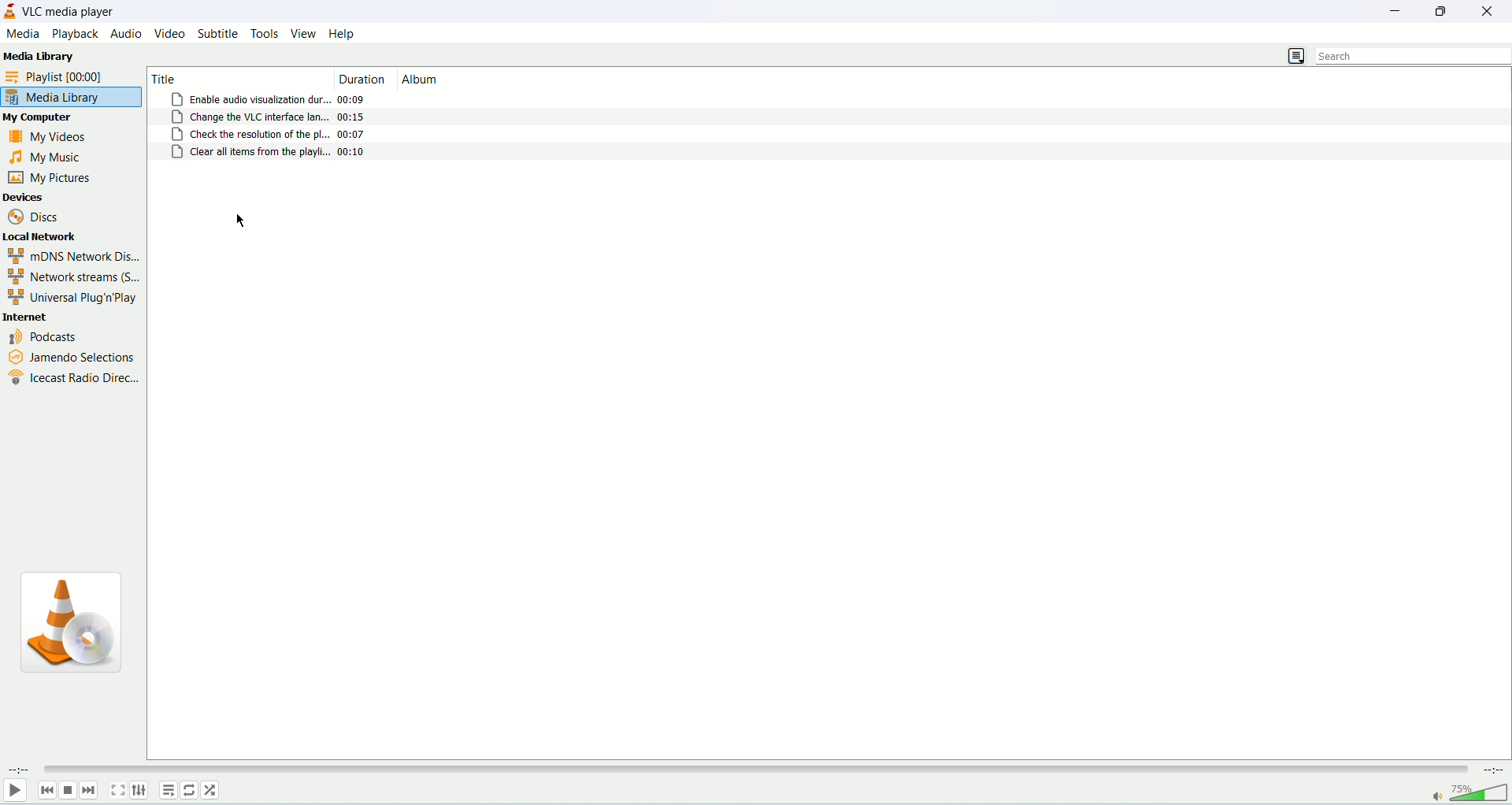 This screenshot has height=805, width=1512. I want to click on playback, so click(74, 33).